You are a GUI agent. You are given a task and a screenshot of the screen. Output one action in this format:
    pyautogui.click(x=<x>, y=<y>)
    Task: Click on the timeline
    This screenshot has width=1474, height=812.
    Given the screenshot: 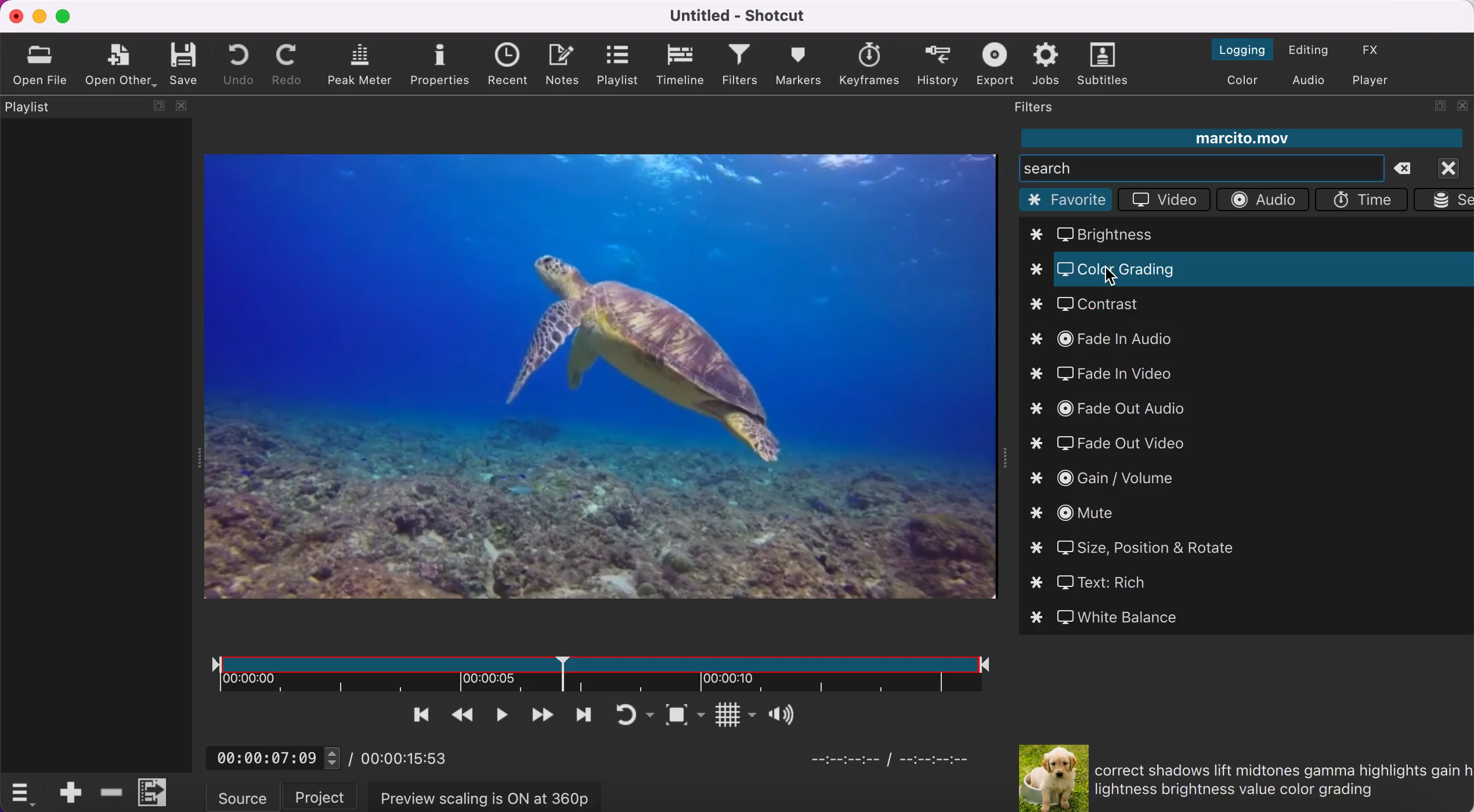 What is the action you would take?
    pyautogui.click(x=680, y=64)
    